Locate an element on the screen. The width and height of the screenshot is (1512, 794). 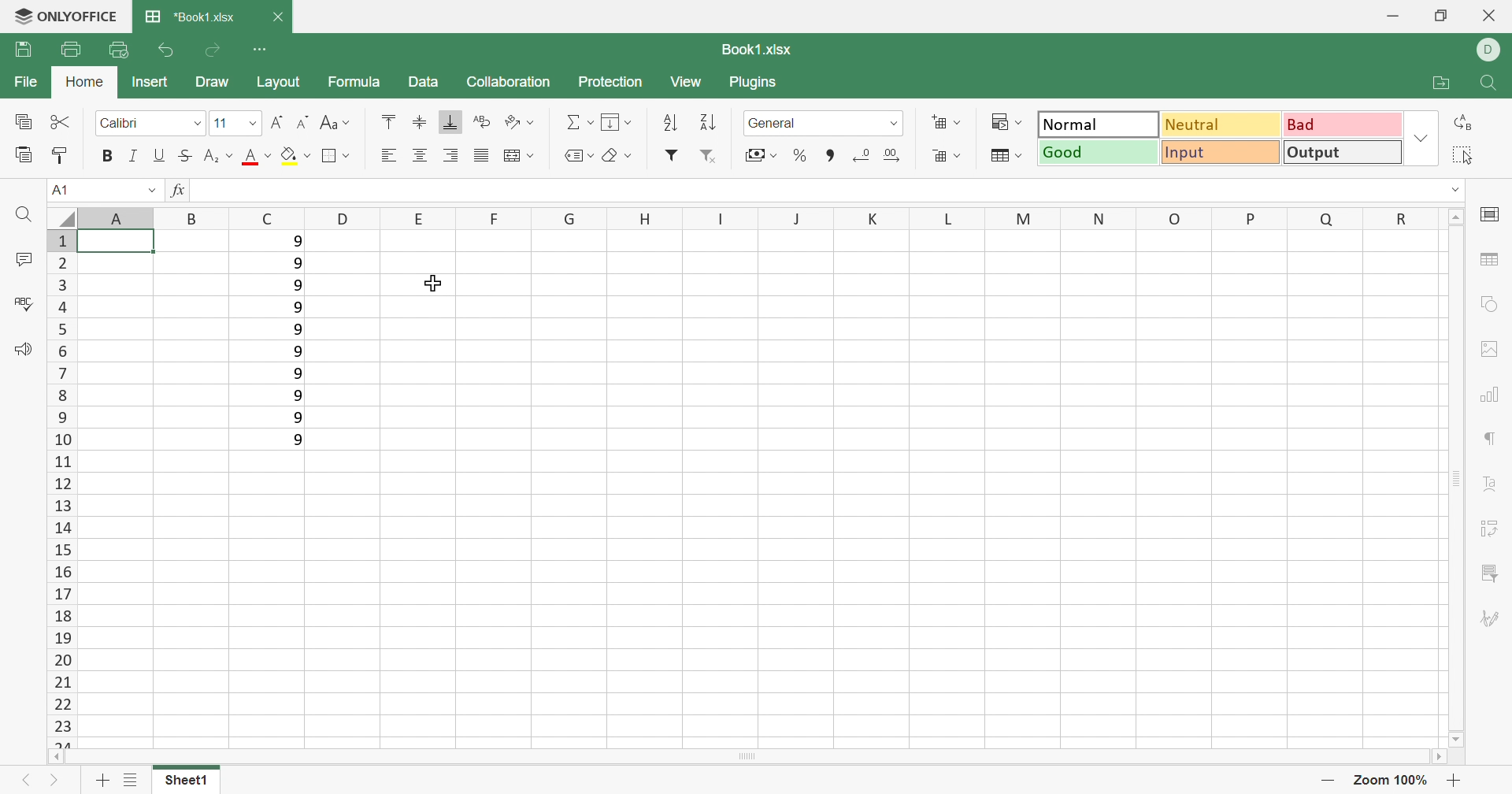
Input is located at coordinates (1218, 153).